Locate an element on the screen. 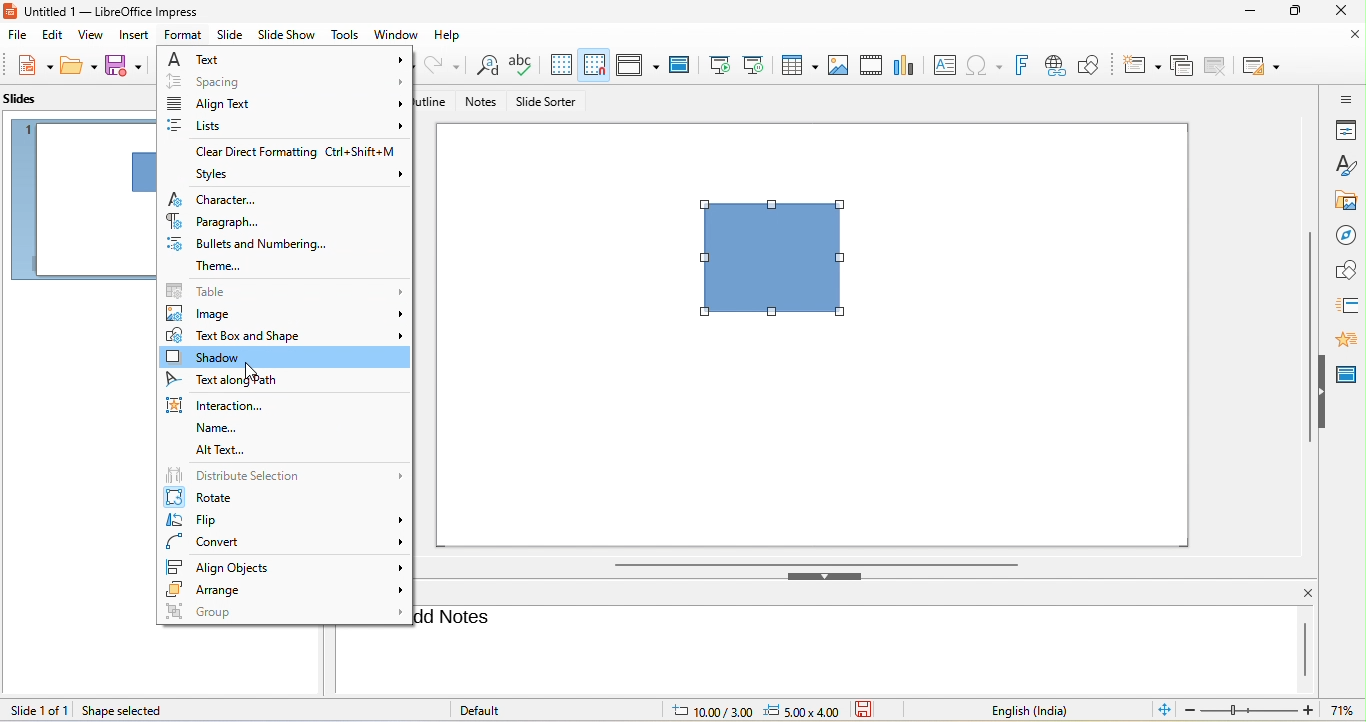 This screenshot has width=1366, height=722. outline is located at coordinates (439, 101).